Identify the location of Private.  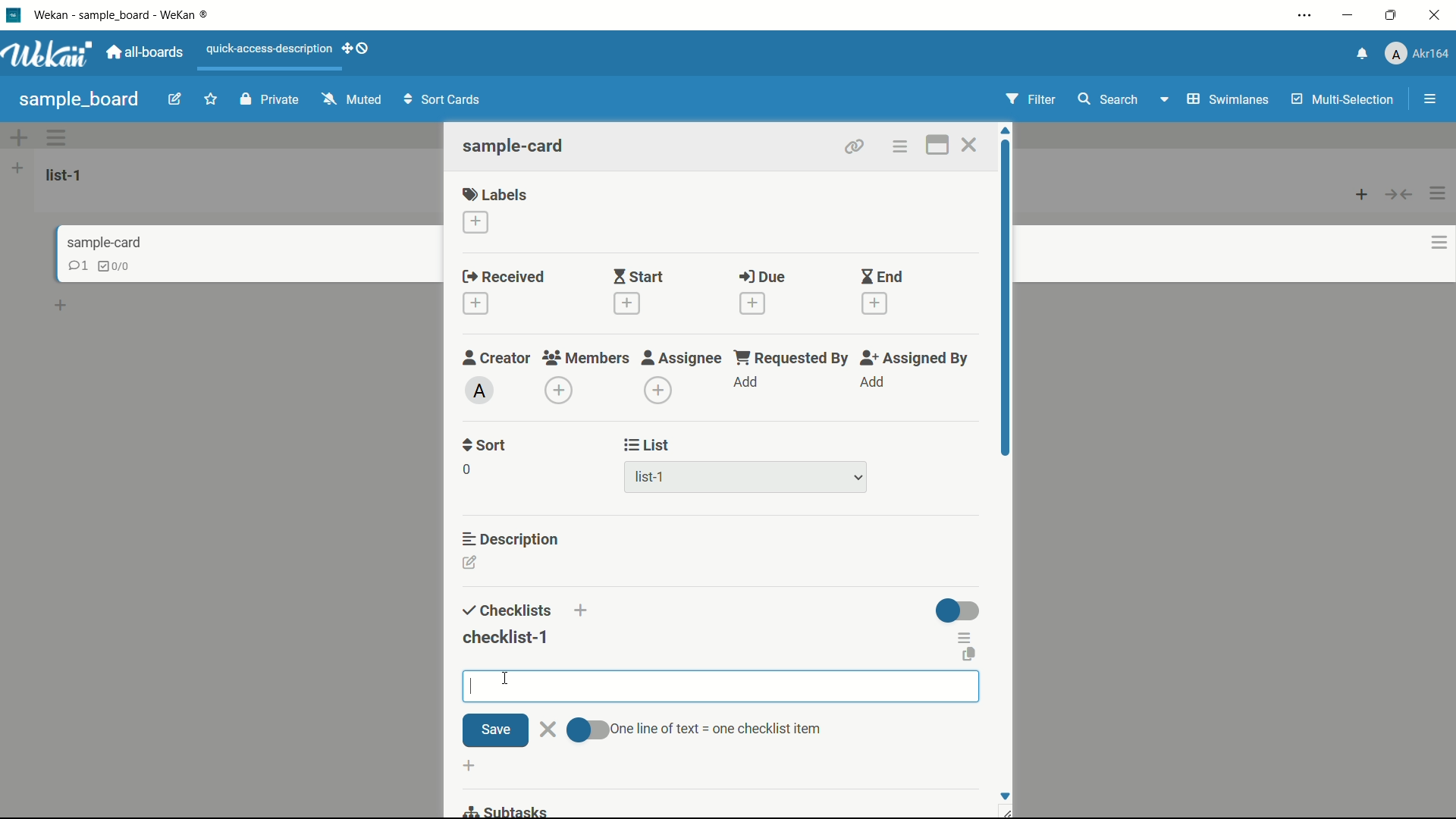
(266, 99).